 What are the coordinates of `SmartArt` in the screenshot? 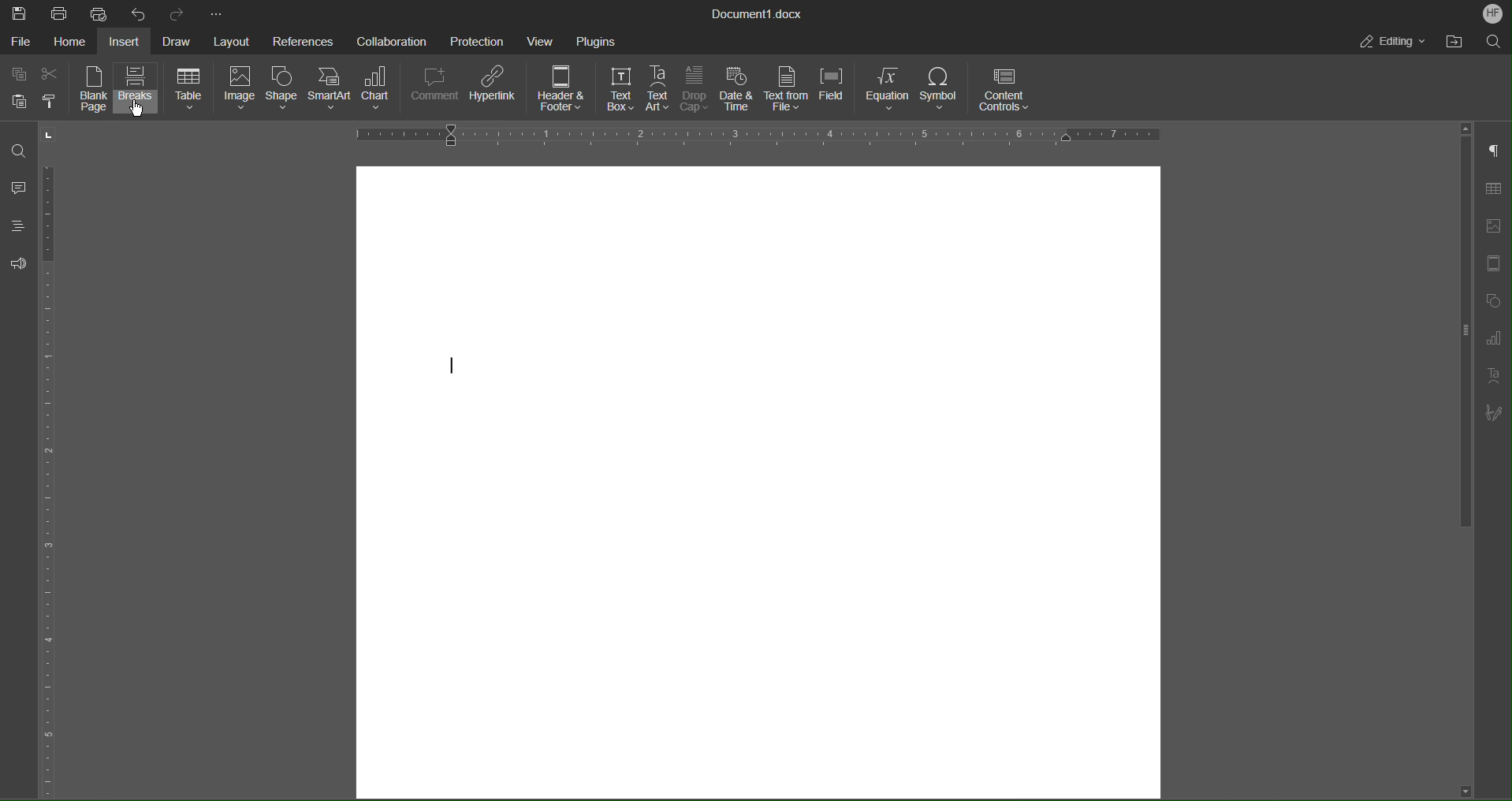 It's located at (329, 91).